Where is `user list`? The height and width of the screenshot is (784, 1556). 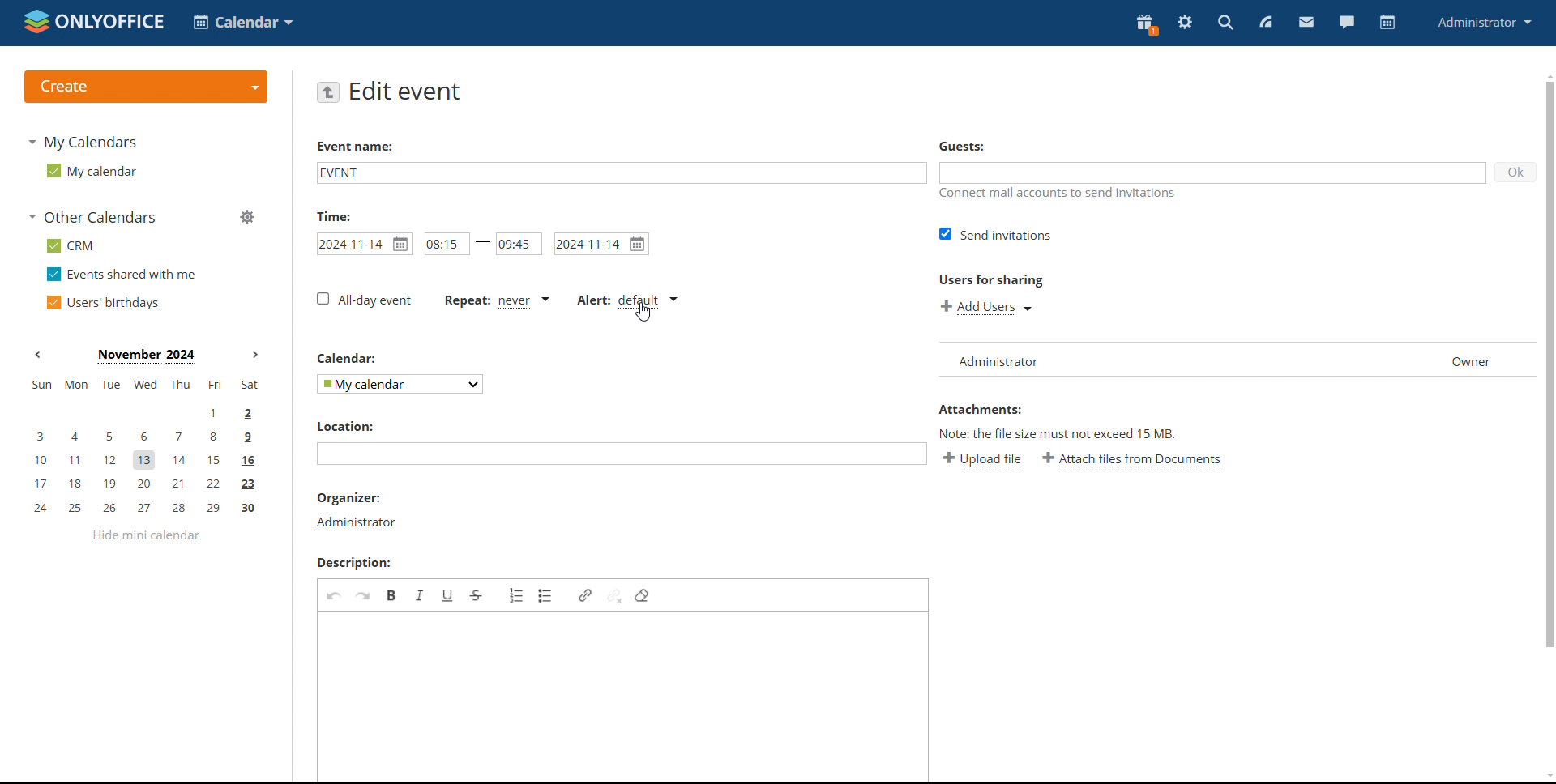 user list is located at coordinates (1235, 359).